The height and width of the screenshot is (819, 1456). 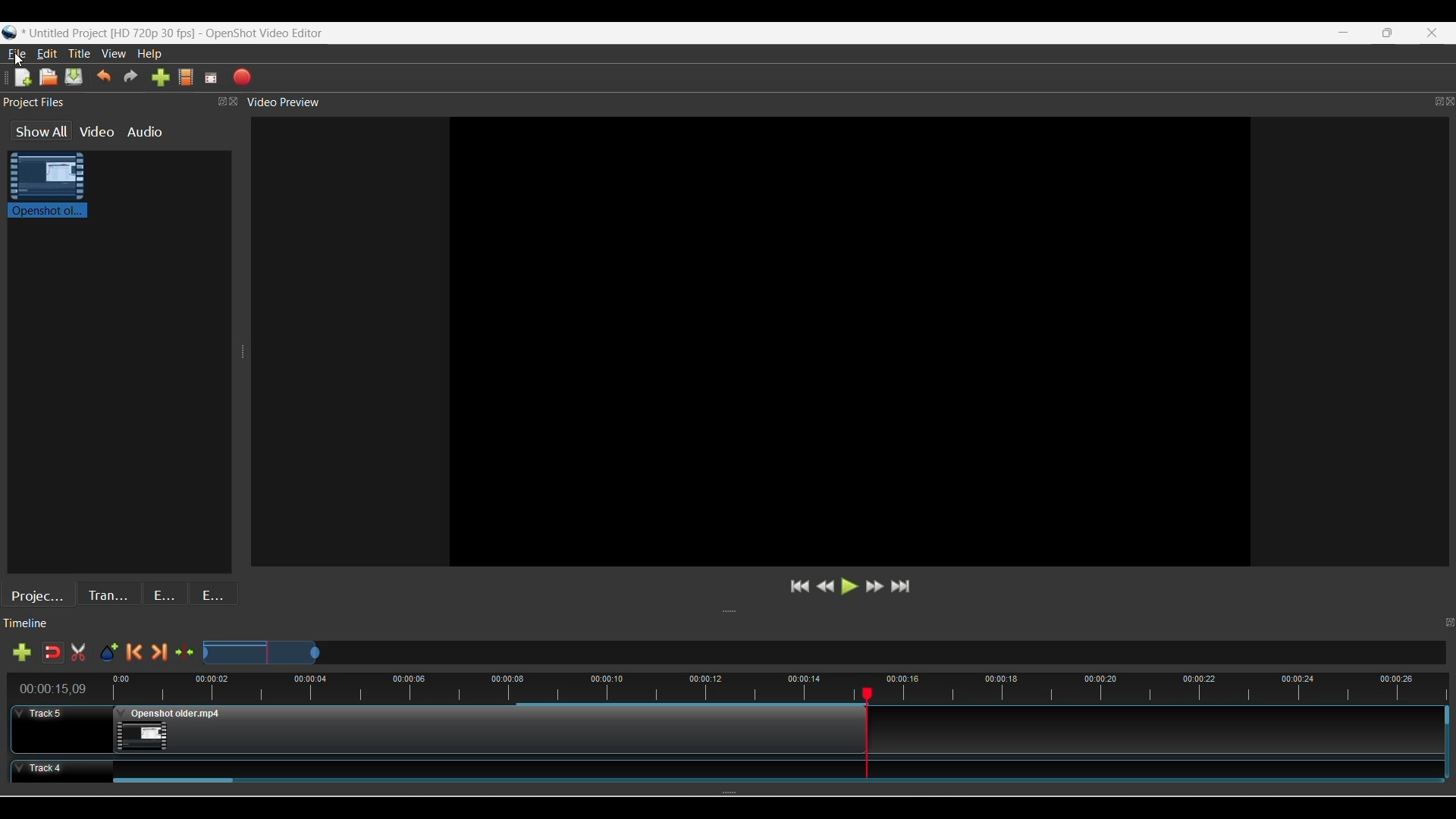 What do you see at coordinates (110, 33) in the screenshot?
I see `Project Name` at bounding box center [110, 33].